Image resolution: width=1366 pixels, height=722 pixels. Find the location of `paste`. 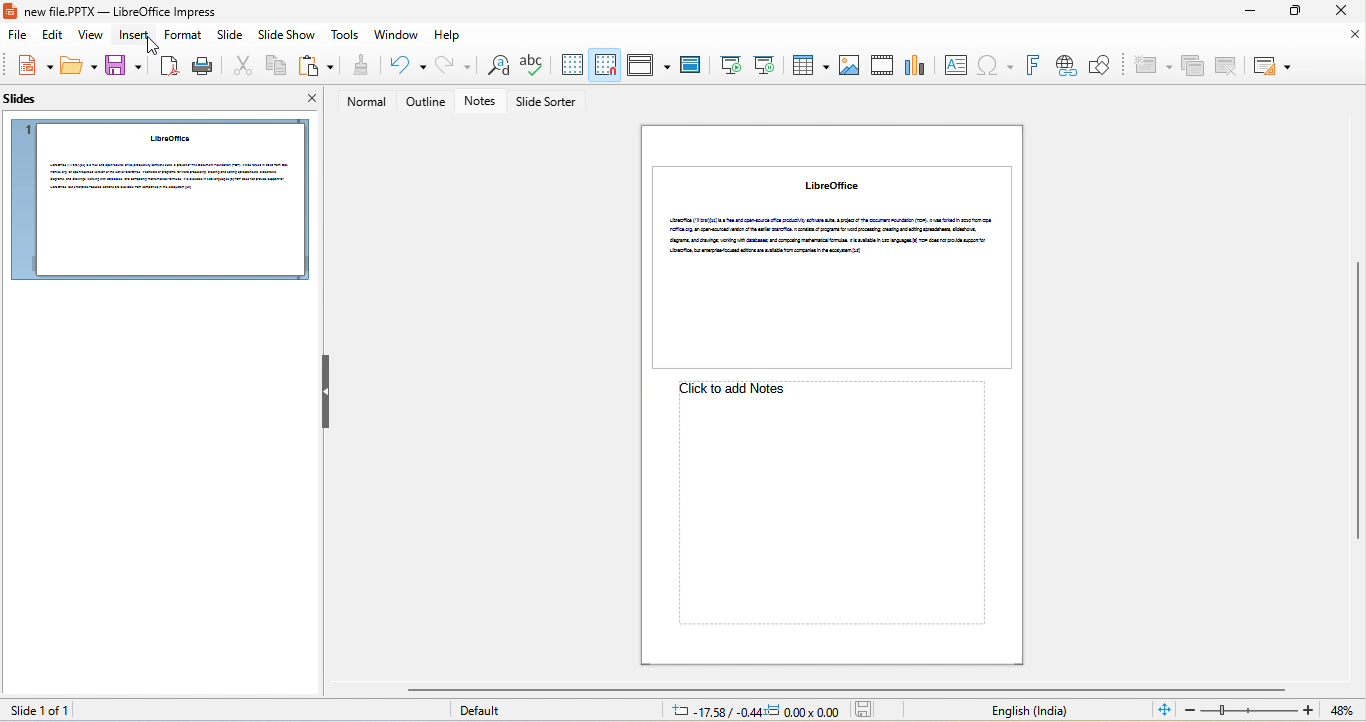

paste is located at coordinates (316, 66).